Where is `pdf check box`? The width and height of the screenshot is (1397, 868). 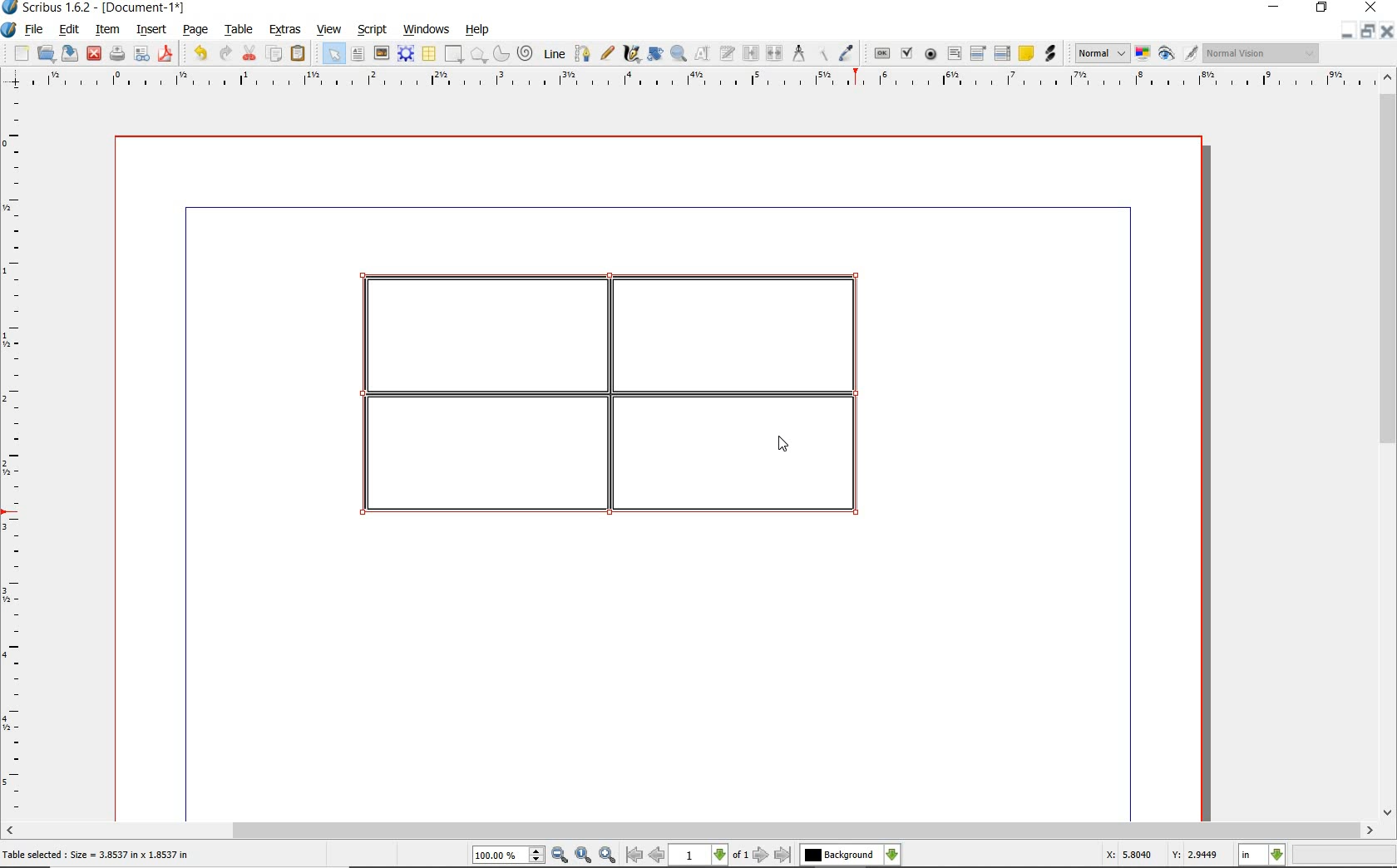
pdf check box is located at coordinates (909, 55).